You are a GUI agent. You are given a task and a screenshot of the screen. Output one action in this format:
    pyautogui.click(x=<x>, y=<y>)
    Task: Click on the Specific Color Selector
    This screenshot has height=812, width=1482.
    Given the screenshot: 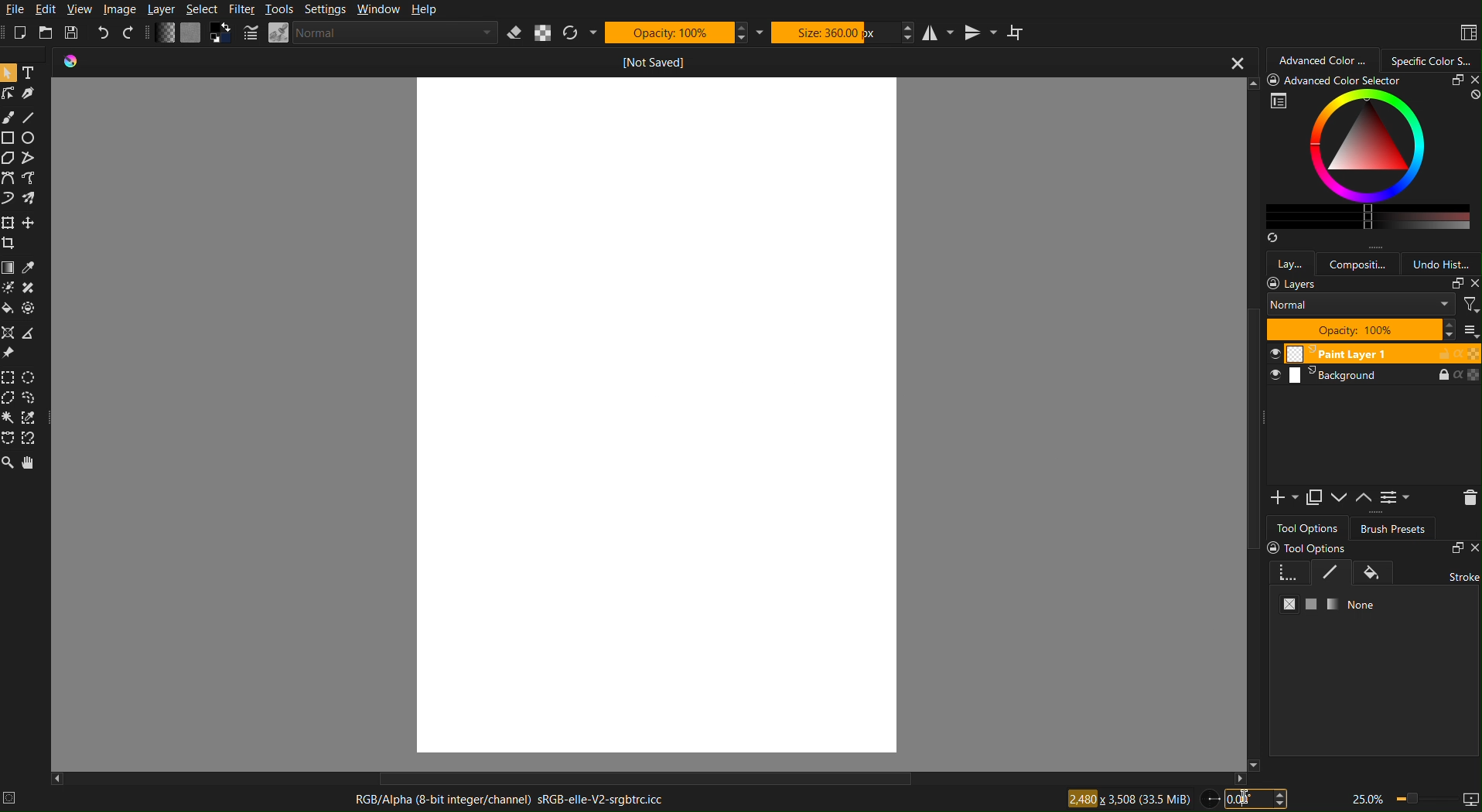 What is the action you would take?
    pyautogui.click(x=1435, y=57)
    